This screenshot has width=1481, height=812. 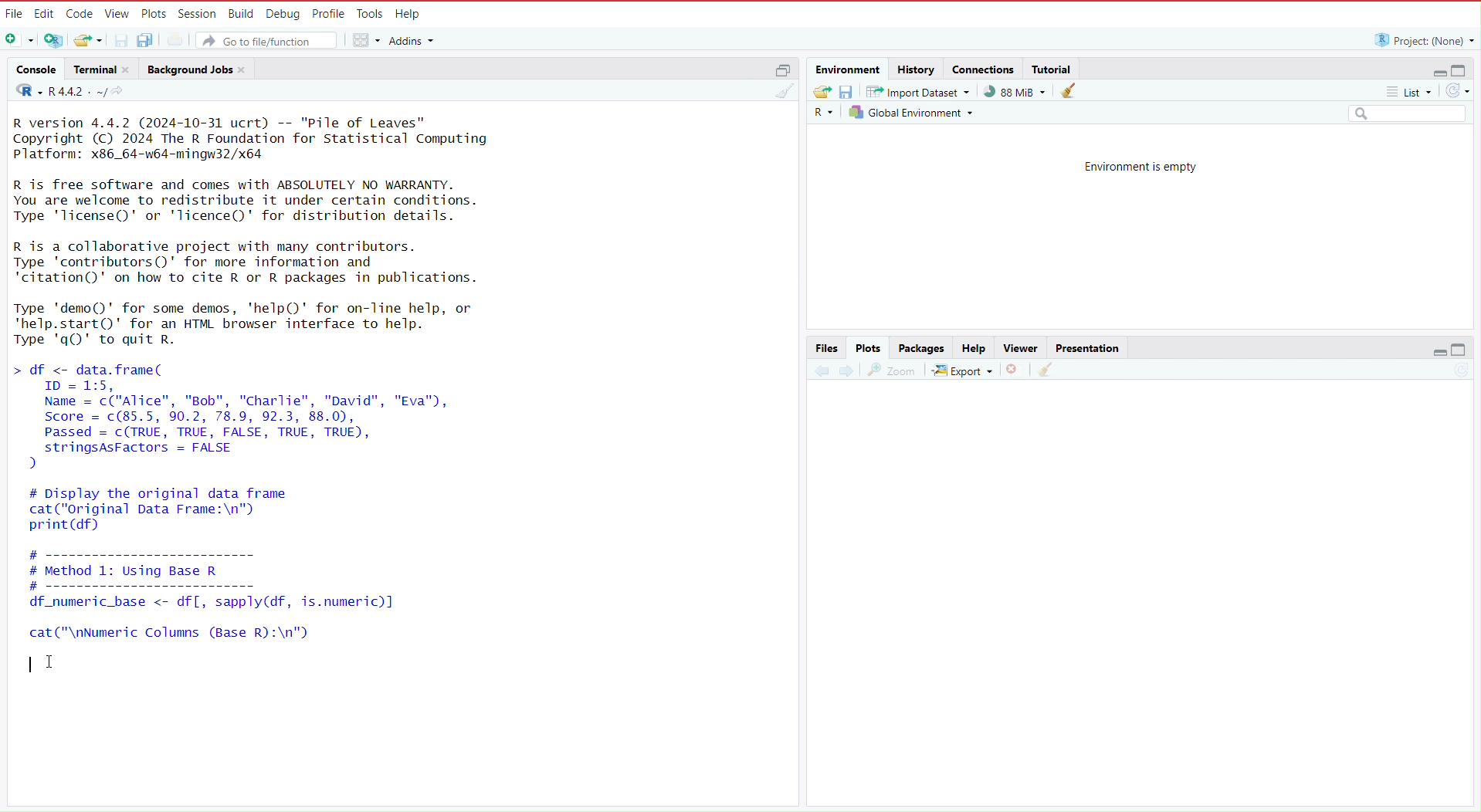 What do you see at coordinates (983, 67) in the screenshot?
I see `connections` at bounding box center [983, 67].